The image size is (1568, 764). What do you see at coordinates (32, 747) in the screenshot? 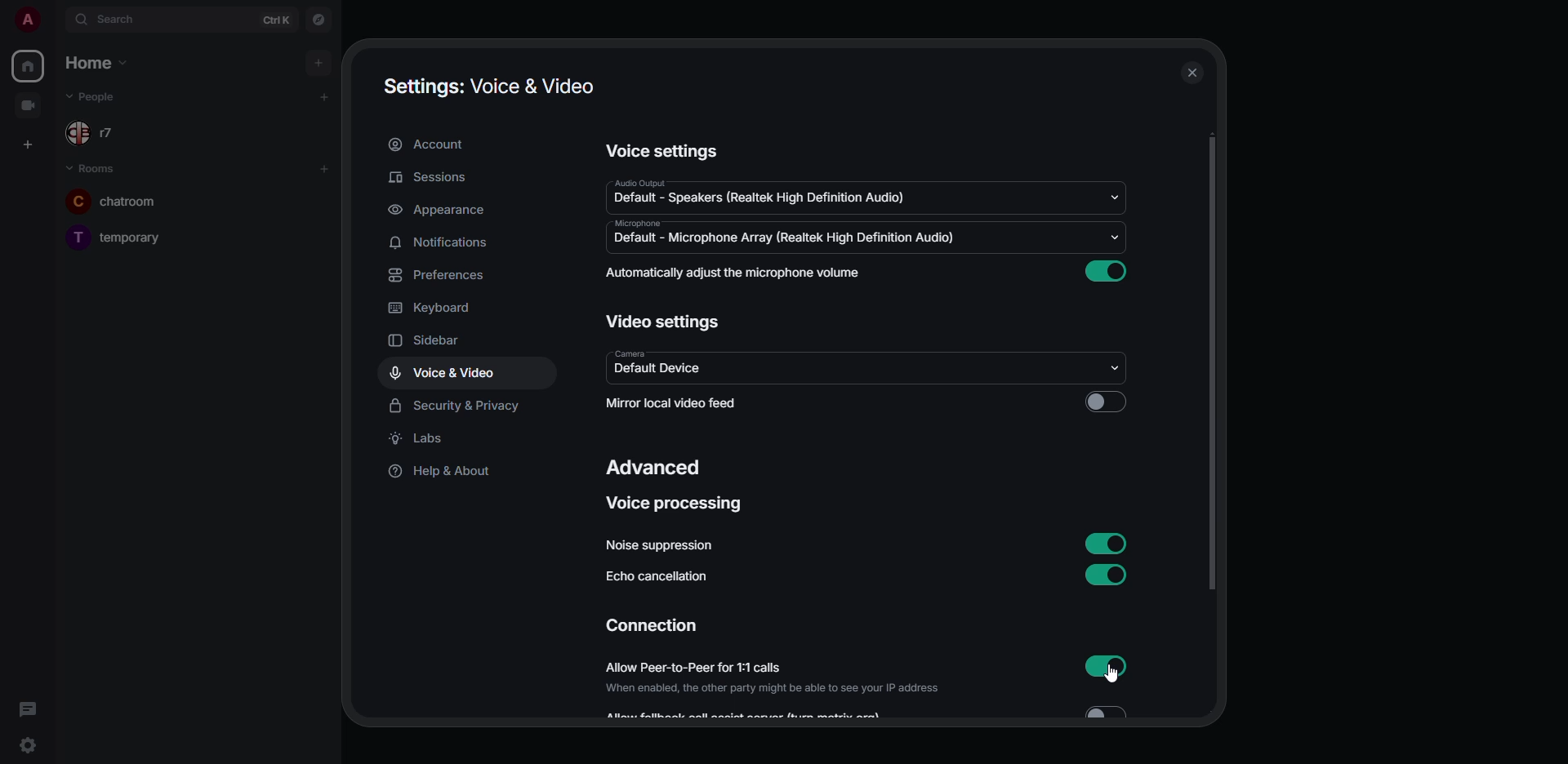
I see `quick settings` at bounding box center [32, 747].